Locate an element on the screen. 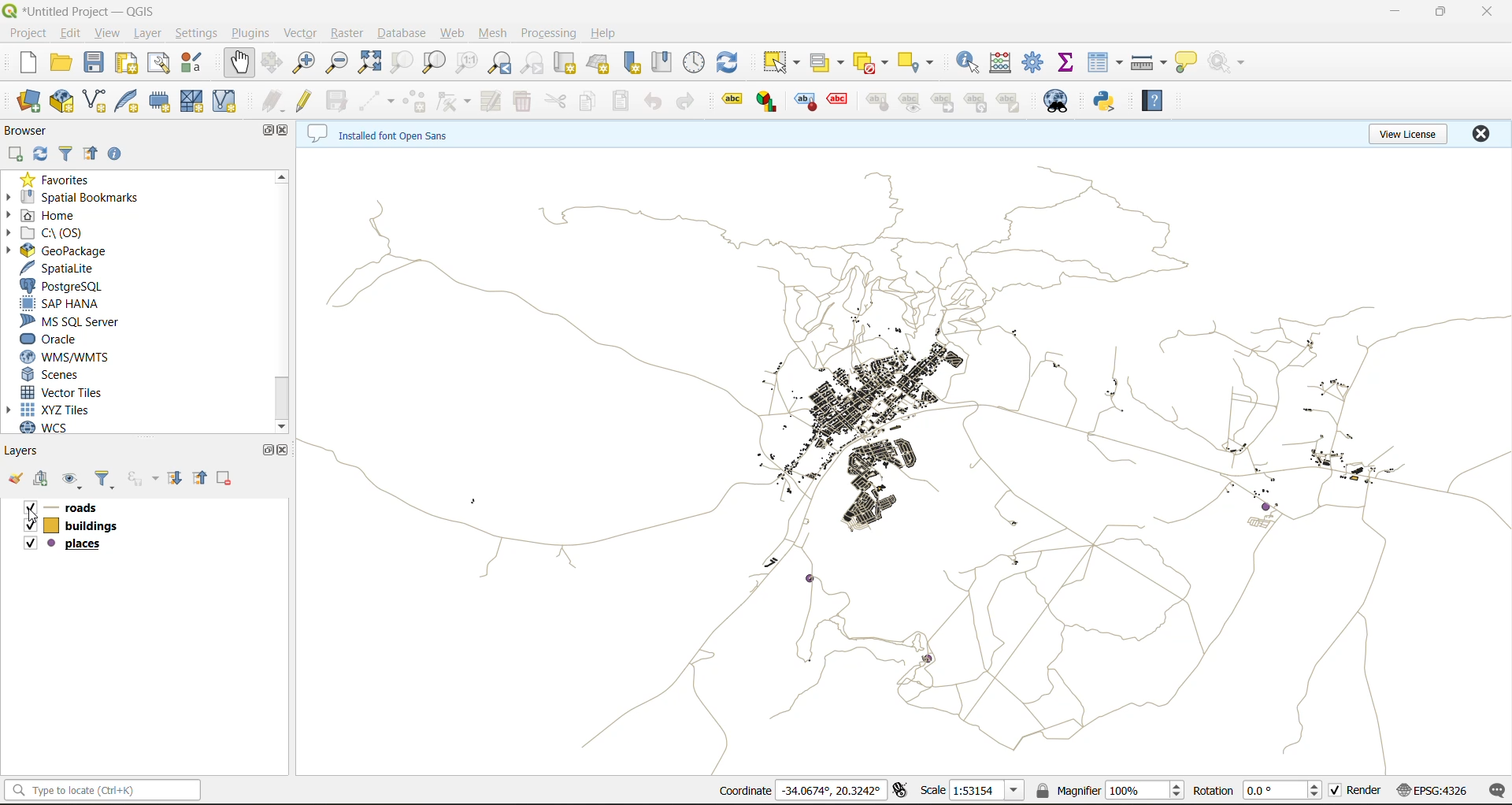  statistical summary is located at coordinates (1065, 61).